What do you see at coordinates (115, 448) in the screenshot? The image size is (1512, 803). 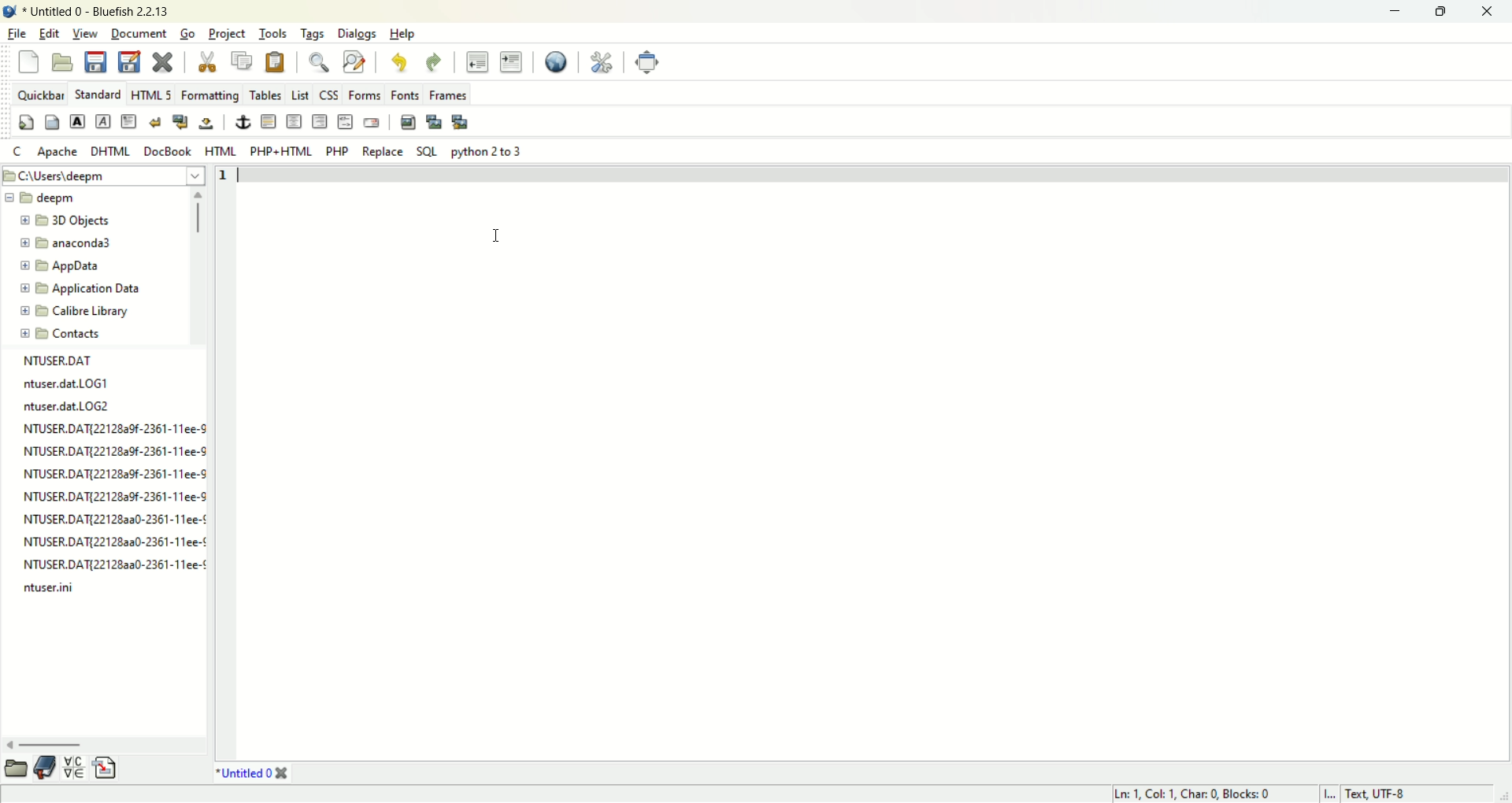 I see `NTUSER.DAT{22128a9f-2361-11ee-9` at bounding box center [115, 448].